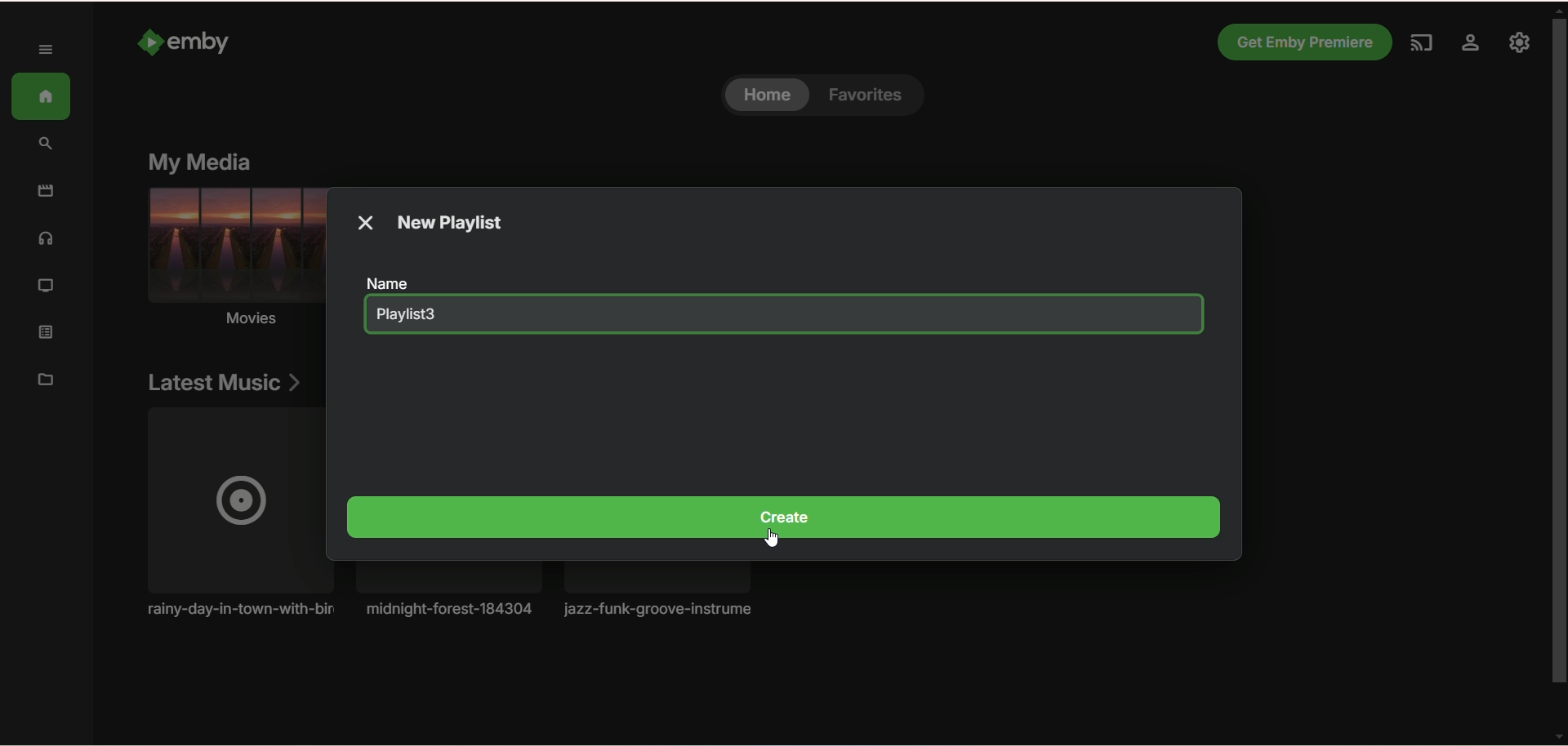  Describe the element at coordinates (772, 538) in the screenshot. I see `cursor` at that location.